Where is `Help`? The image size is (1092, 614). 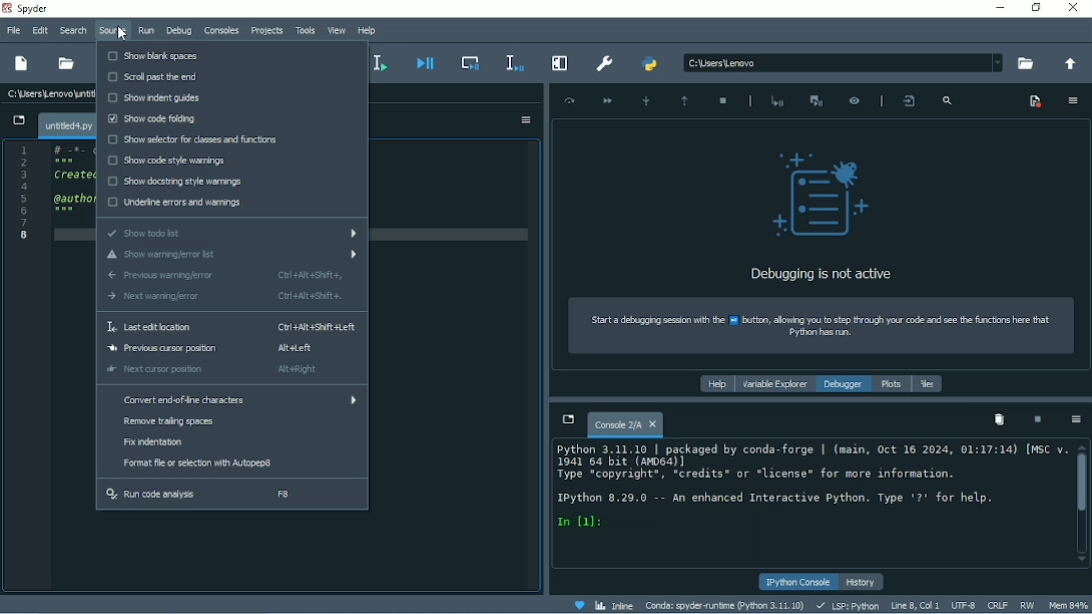
Help is located at coordinates (715, 385).